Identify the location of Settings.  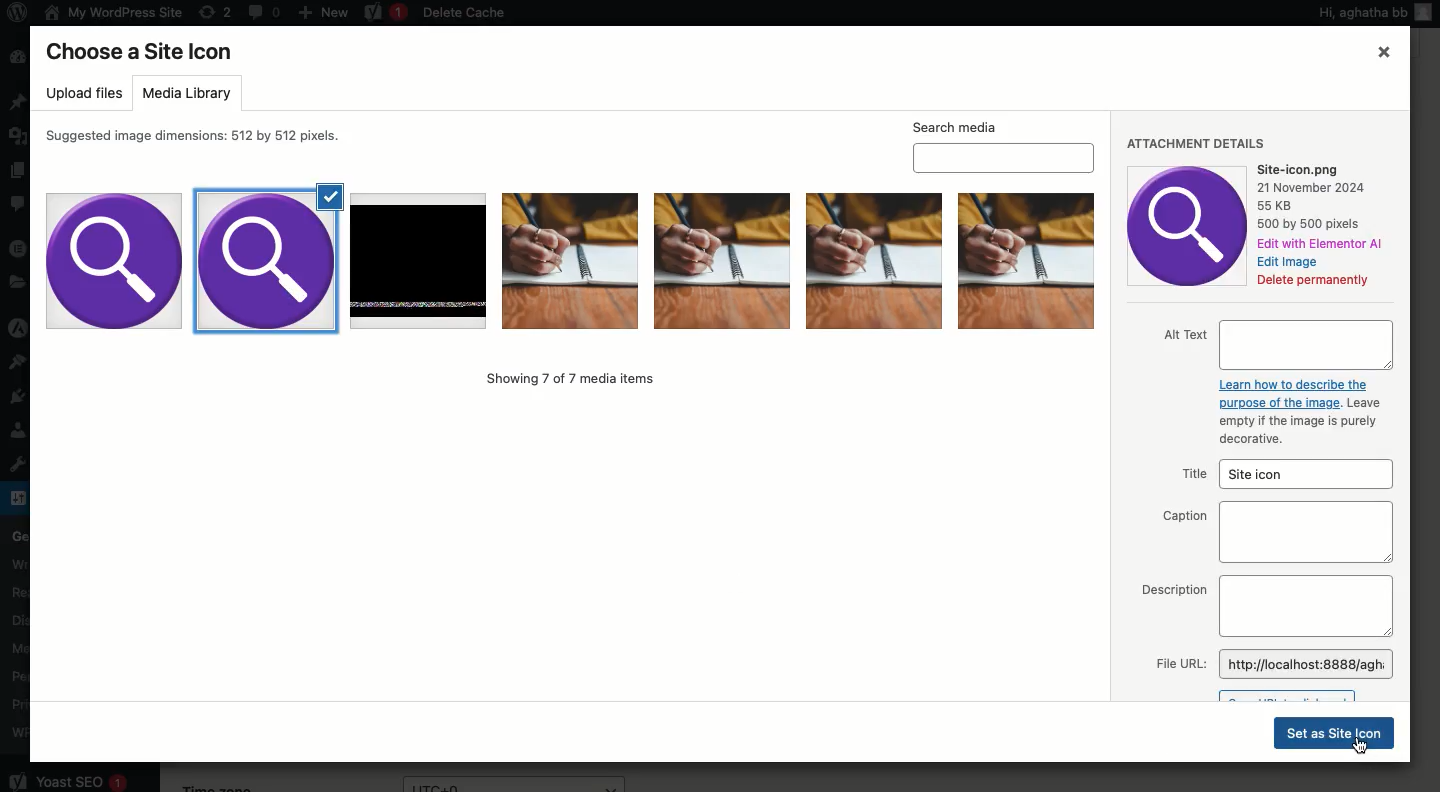
(18, 497).